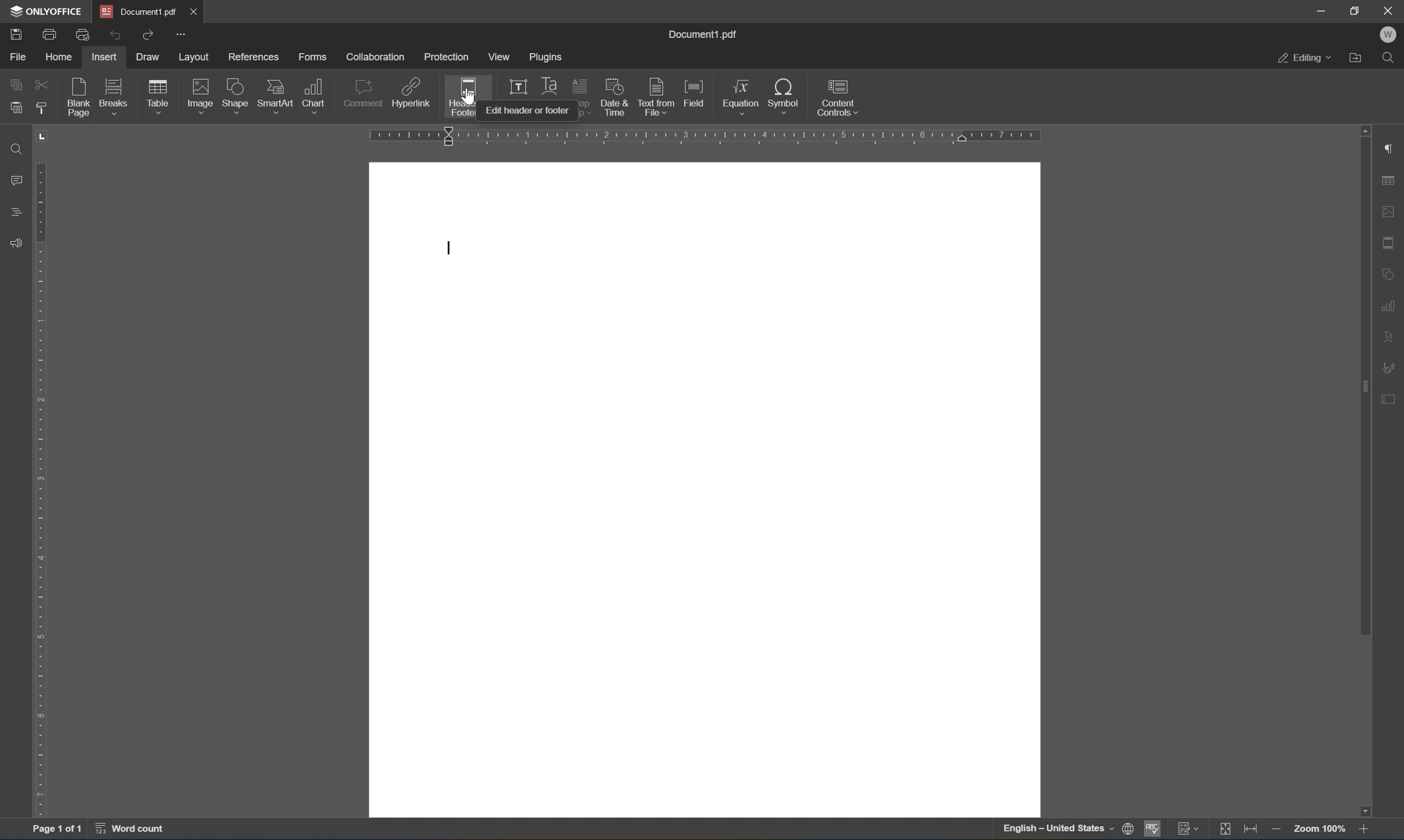 The image size is (1404, 840). I want to click on equation, so click(742, 96).